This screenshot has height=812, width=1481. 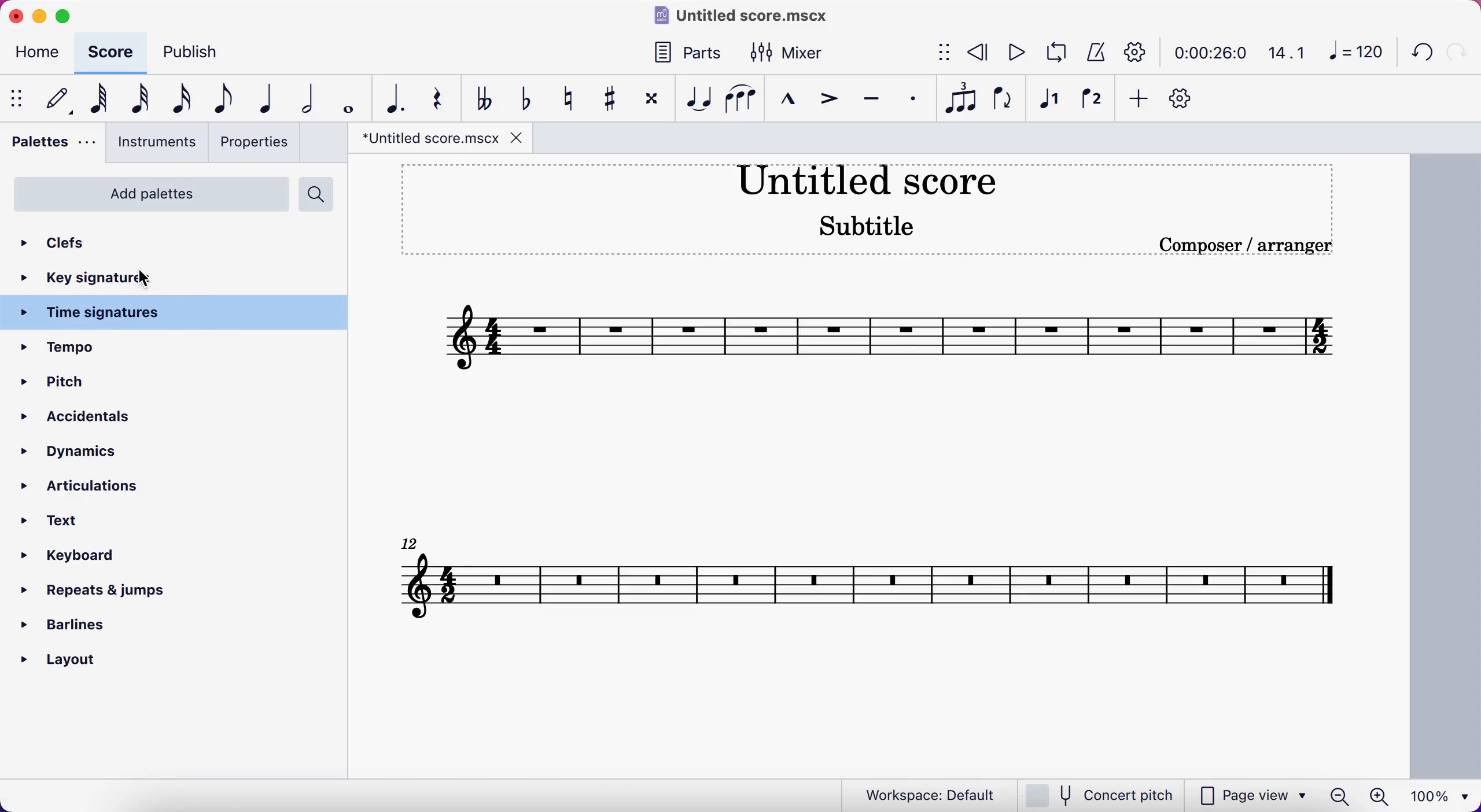 What do you see at coordinates (1132, 53) in the screenshot?
I see `playback settings` at bounding box center [1132, 53].